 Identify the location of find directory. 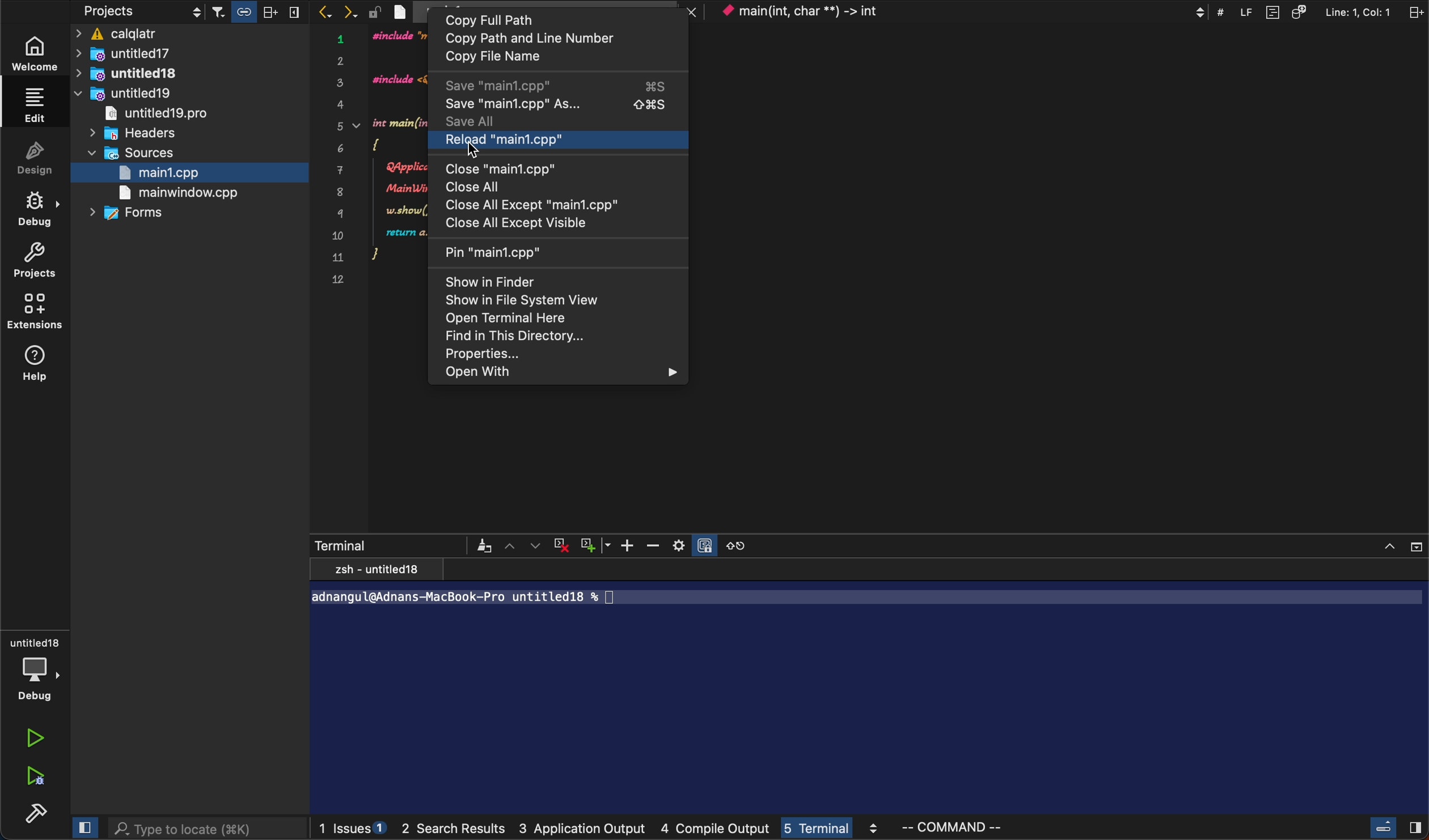
(518, 337).